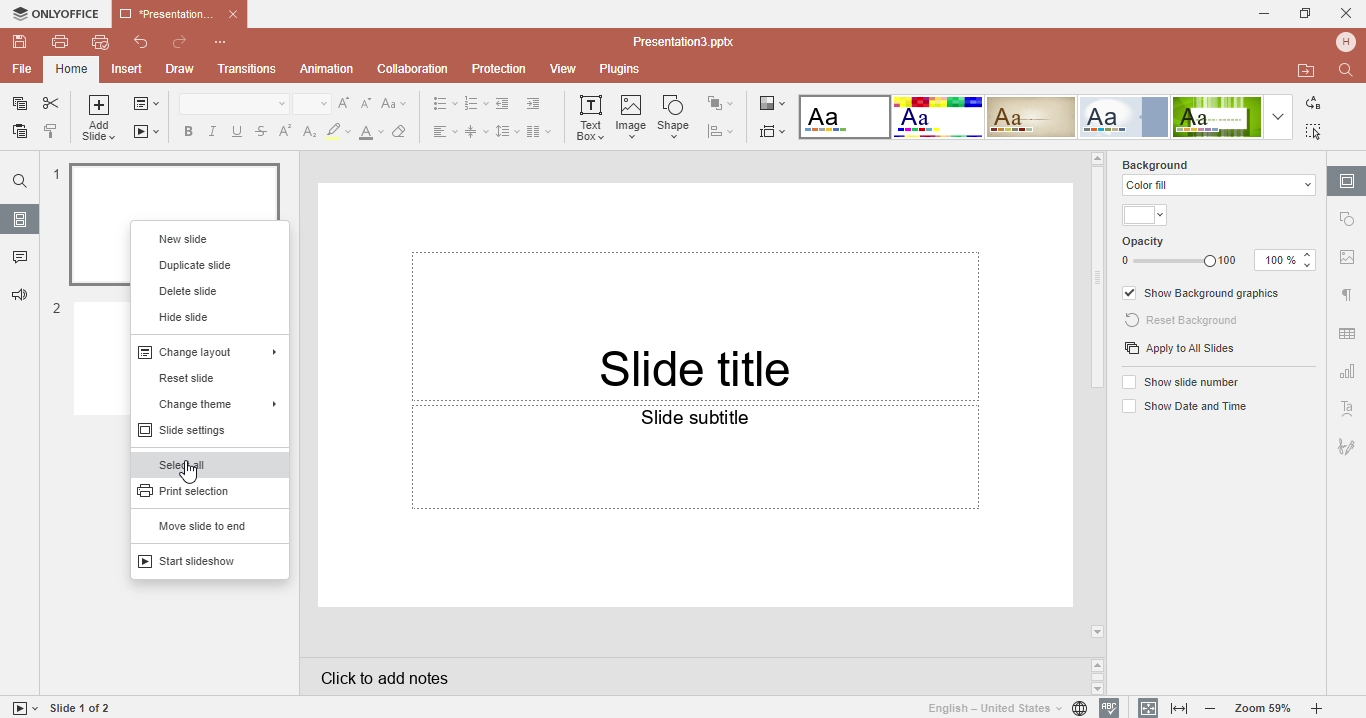 The height and width of the screenshot is (718, 1366). I want to click on Cancel, so click(1346, 13).